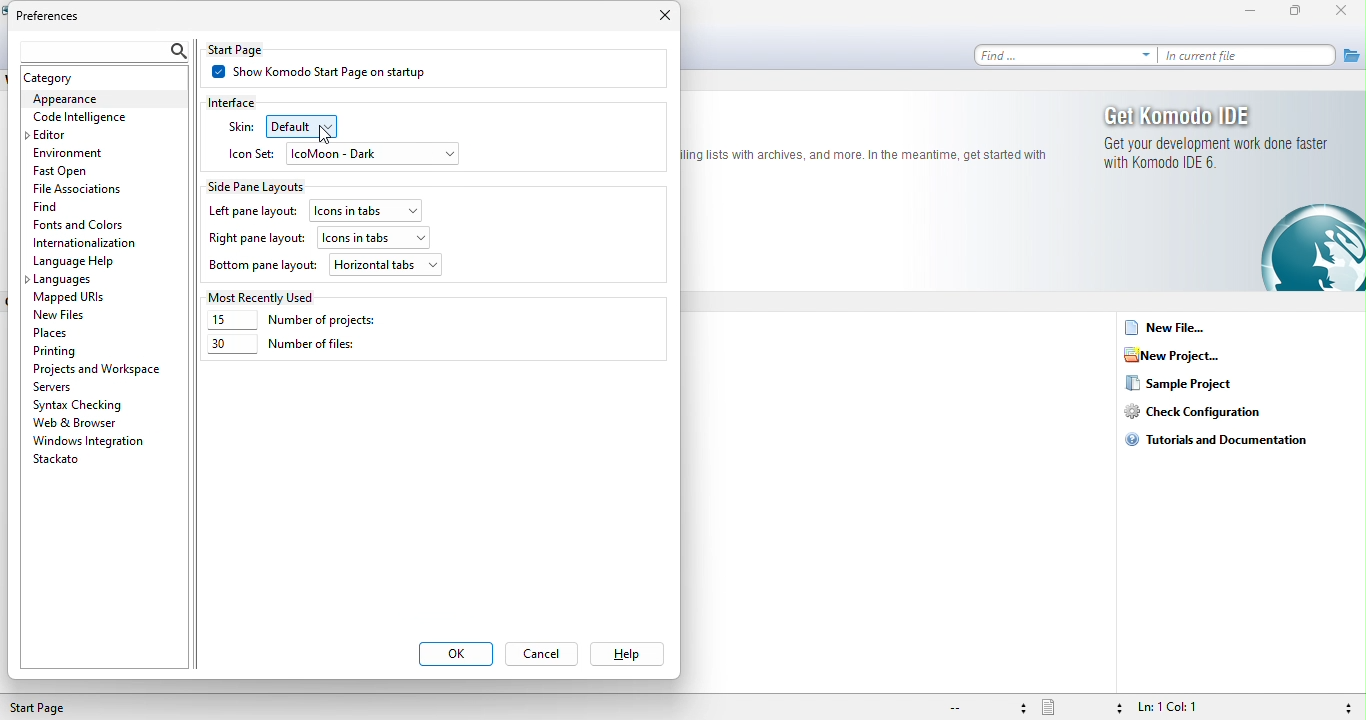 Image resolution: width=1366 pixels, height=720 pixels. Describe the element at coordinates (82, 404) in the screenshot. I see `syntax checking` at that location.